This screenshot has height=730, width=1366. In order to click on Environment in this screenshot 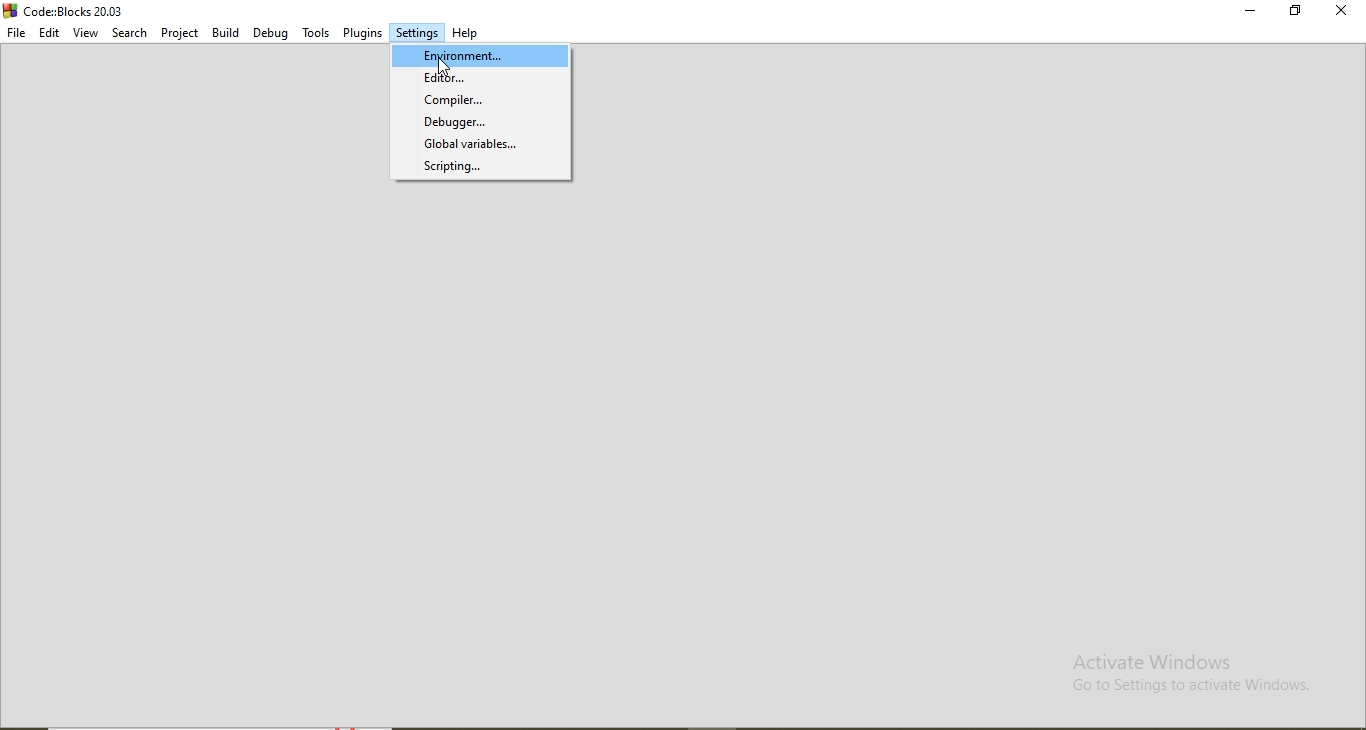, I will do `click(479, 55)`.